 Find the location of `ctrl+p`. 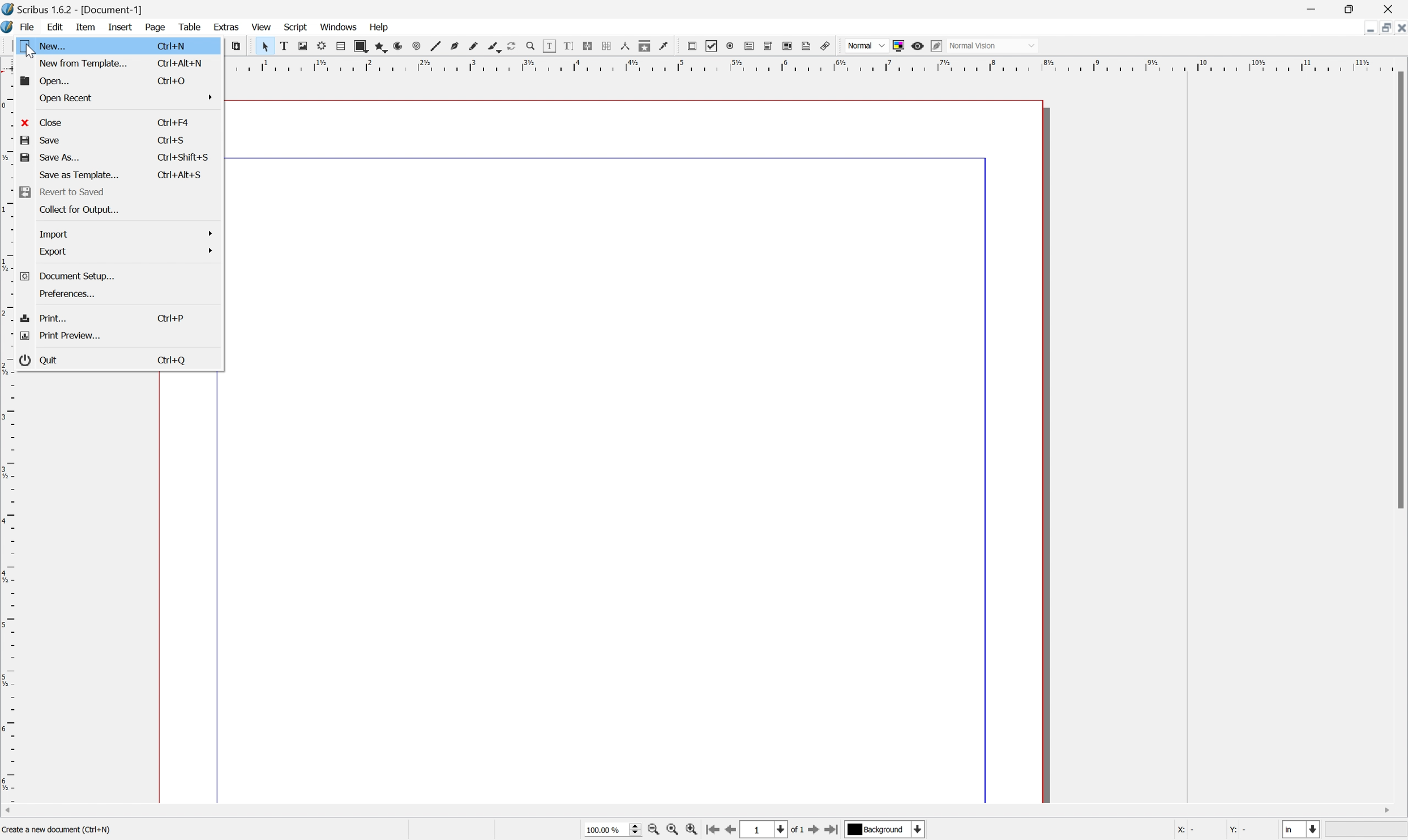

ctrl+p is located at coordinates (174, 319).